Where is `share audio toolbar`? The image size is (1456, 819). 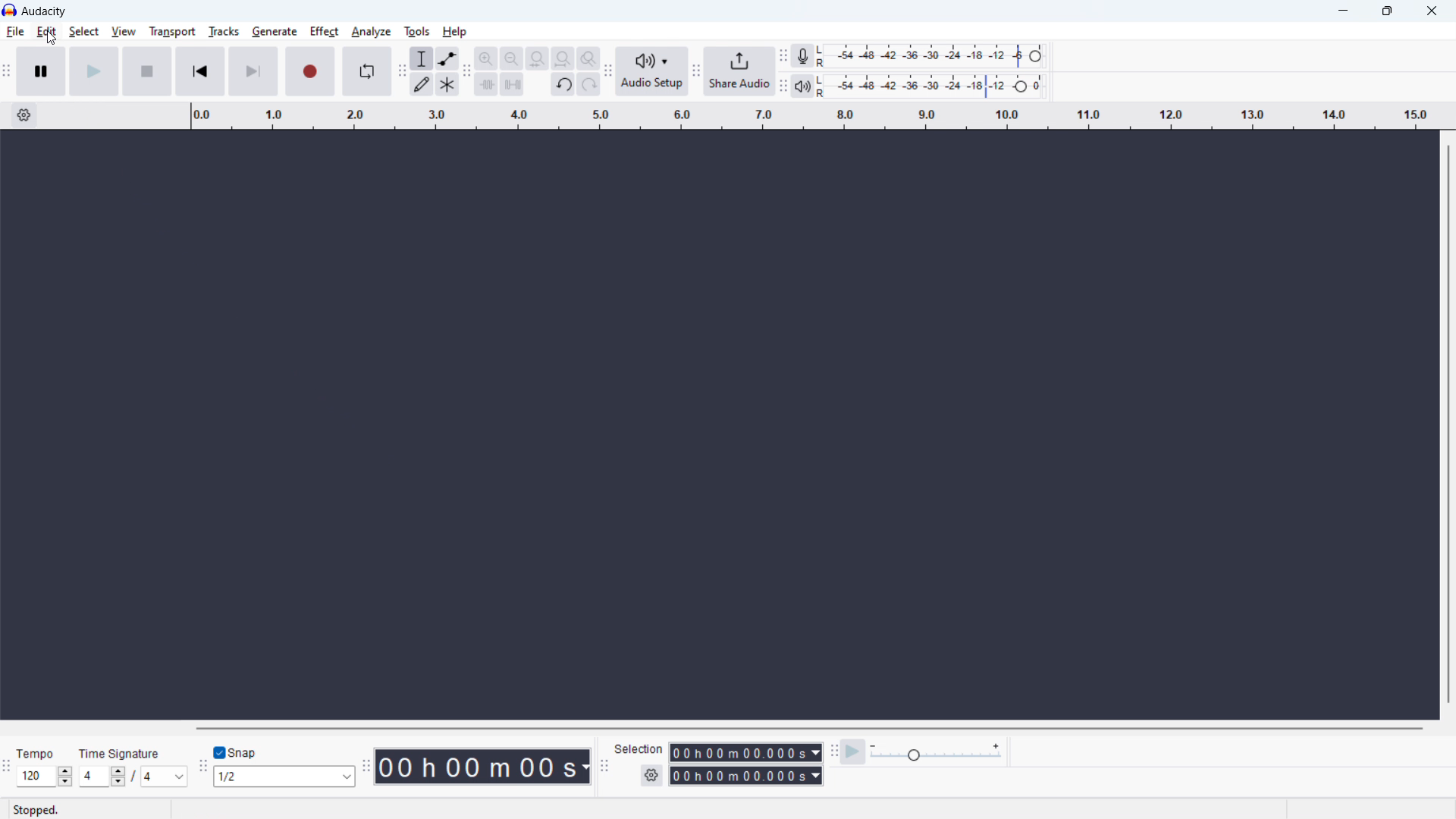
share audio toolbar is located at coordinates (697, 72).